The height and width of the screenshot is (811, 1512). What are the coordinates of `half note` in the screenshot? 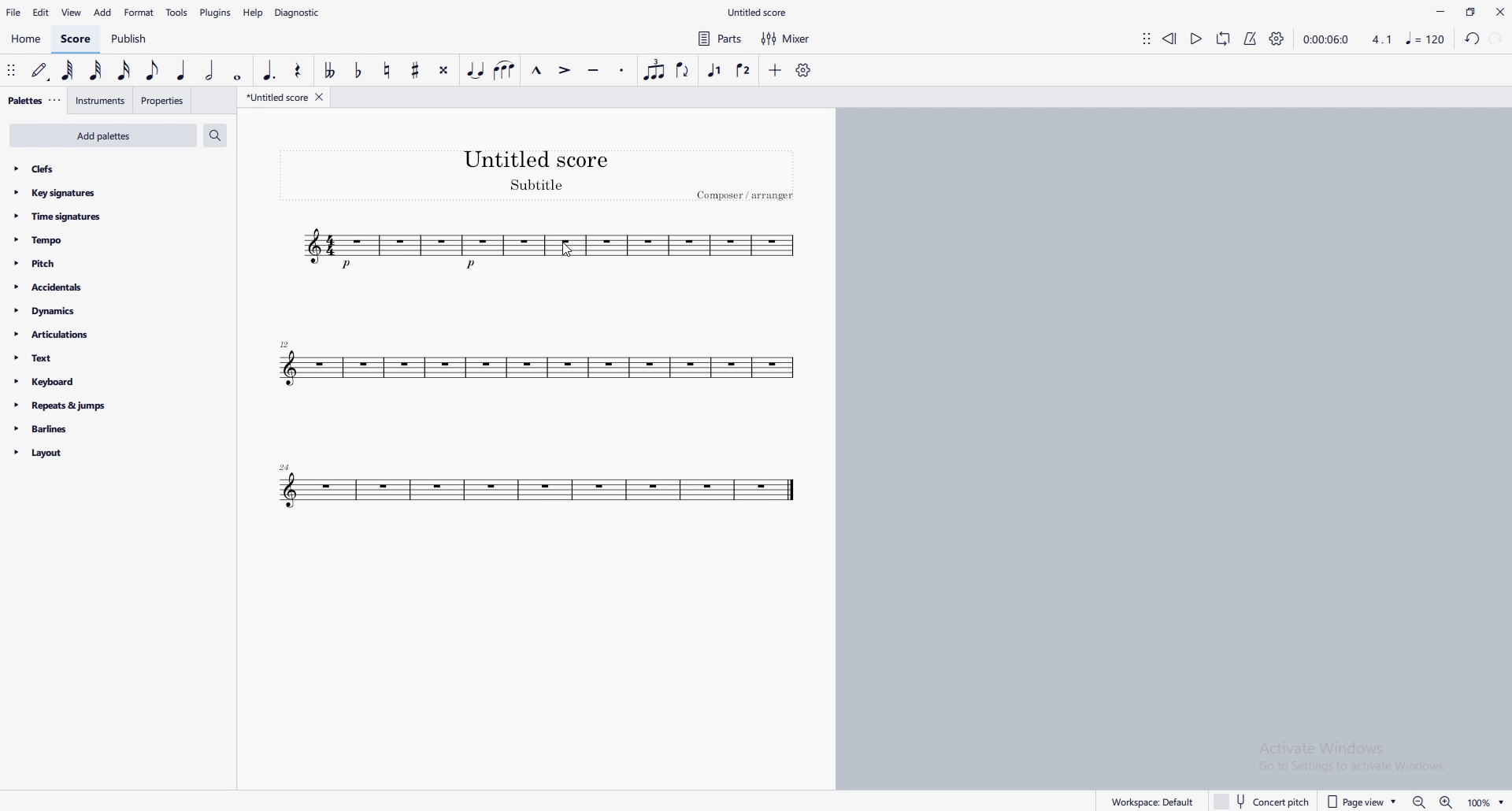 It's located at (212, 69).